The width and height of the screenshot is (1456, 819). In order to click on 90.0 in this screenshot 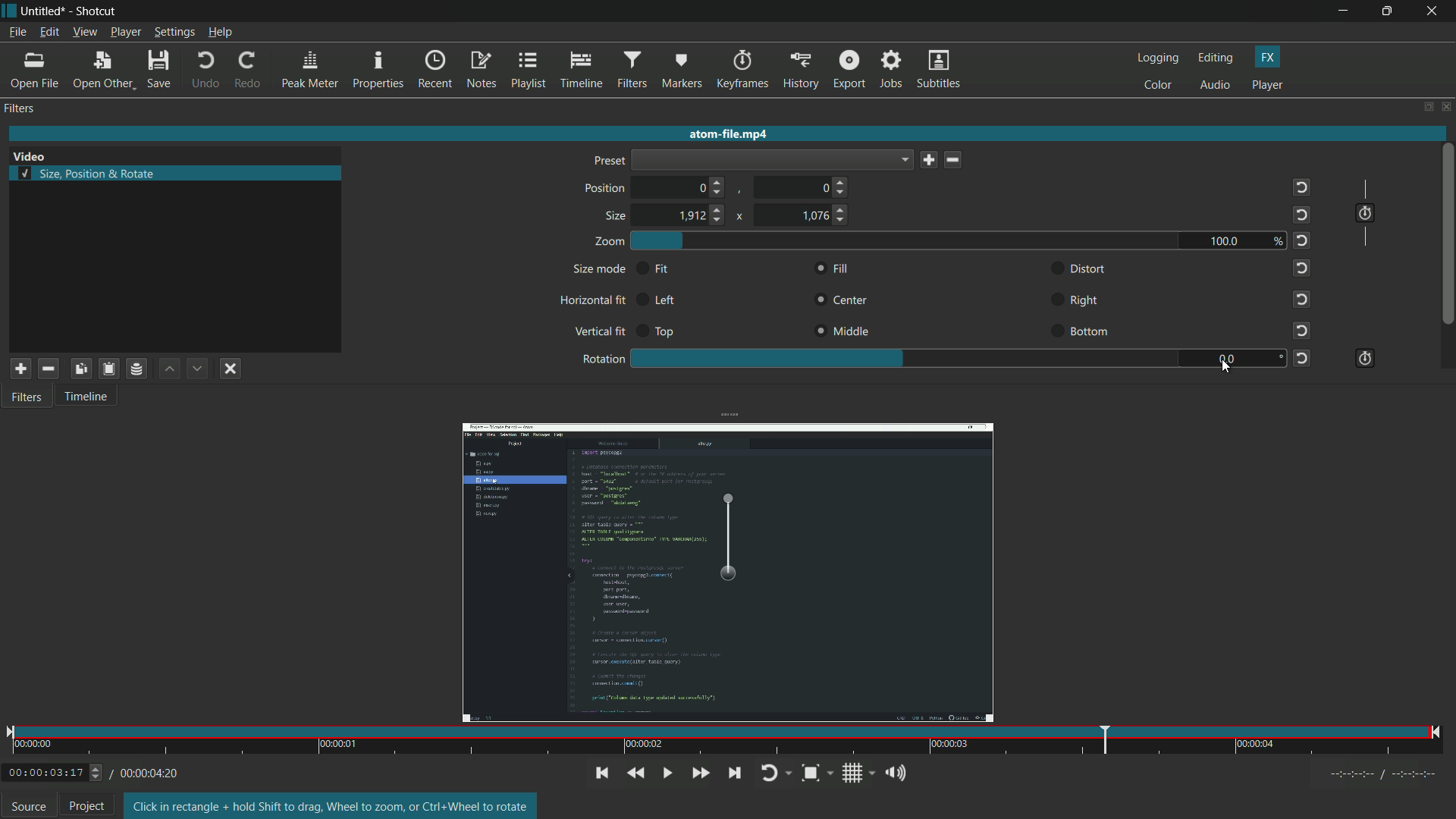, I will do `click(1226, 359)`.